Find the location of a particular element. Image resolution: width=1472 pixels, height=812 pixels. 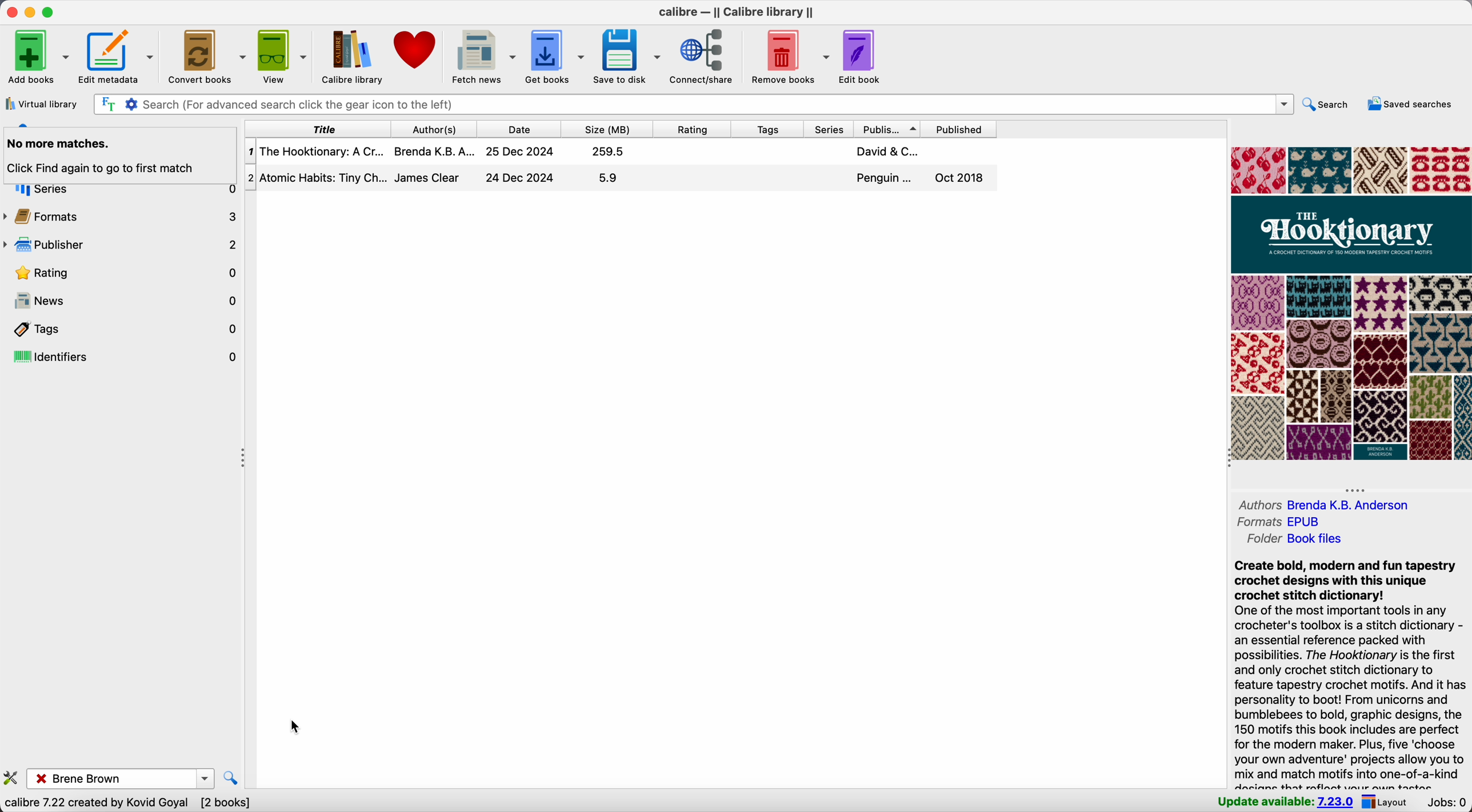

data is located at coordinates (133, 805).